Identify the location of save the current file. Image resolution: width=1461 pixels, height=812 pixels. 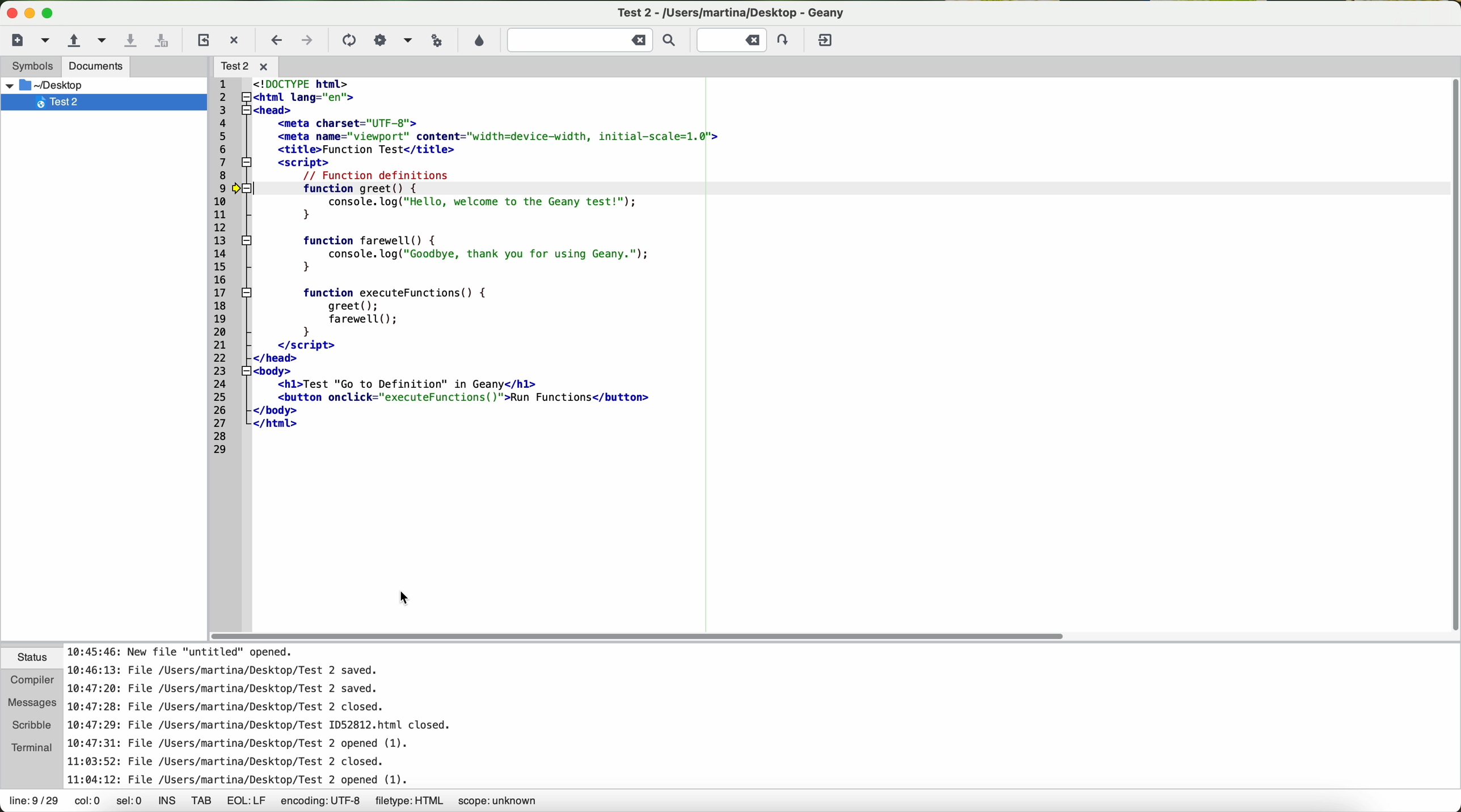
(132, 40).